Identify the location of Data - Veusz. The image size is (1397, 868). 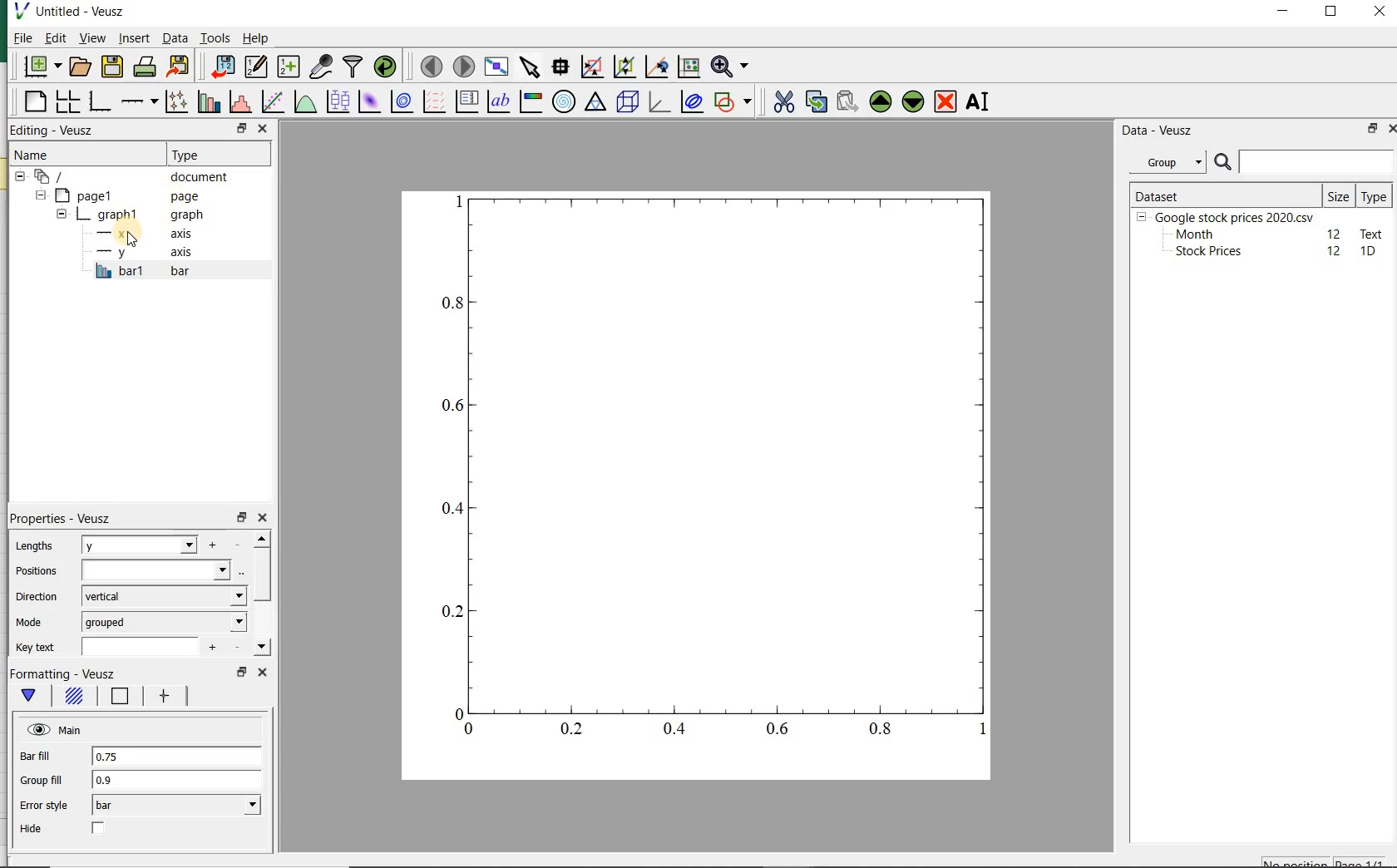
(1158, 130).